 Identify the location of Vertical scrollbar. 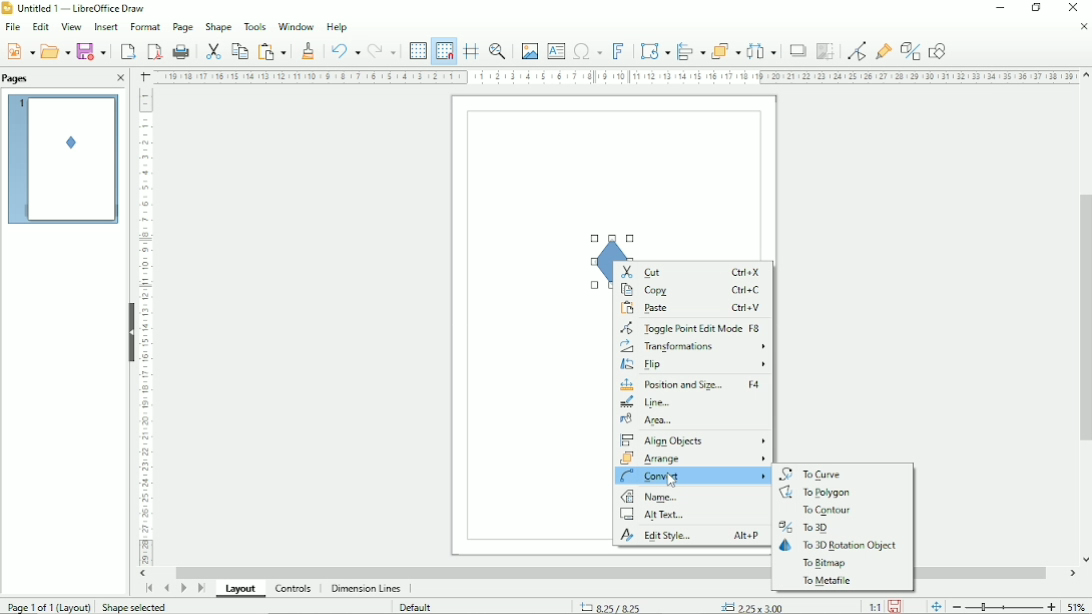
(1082, 321).